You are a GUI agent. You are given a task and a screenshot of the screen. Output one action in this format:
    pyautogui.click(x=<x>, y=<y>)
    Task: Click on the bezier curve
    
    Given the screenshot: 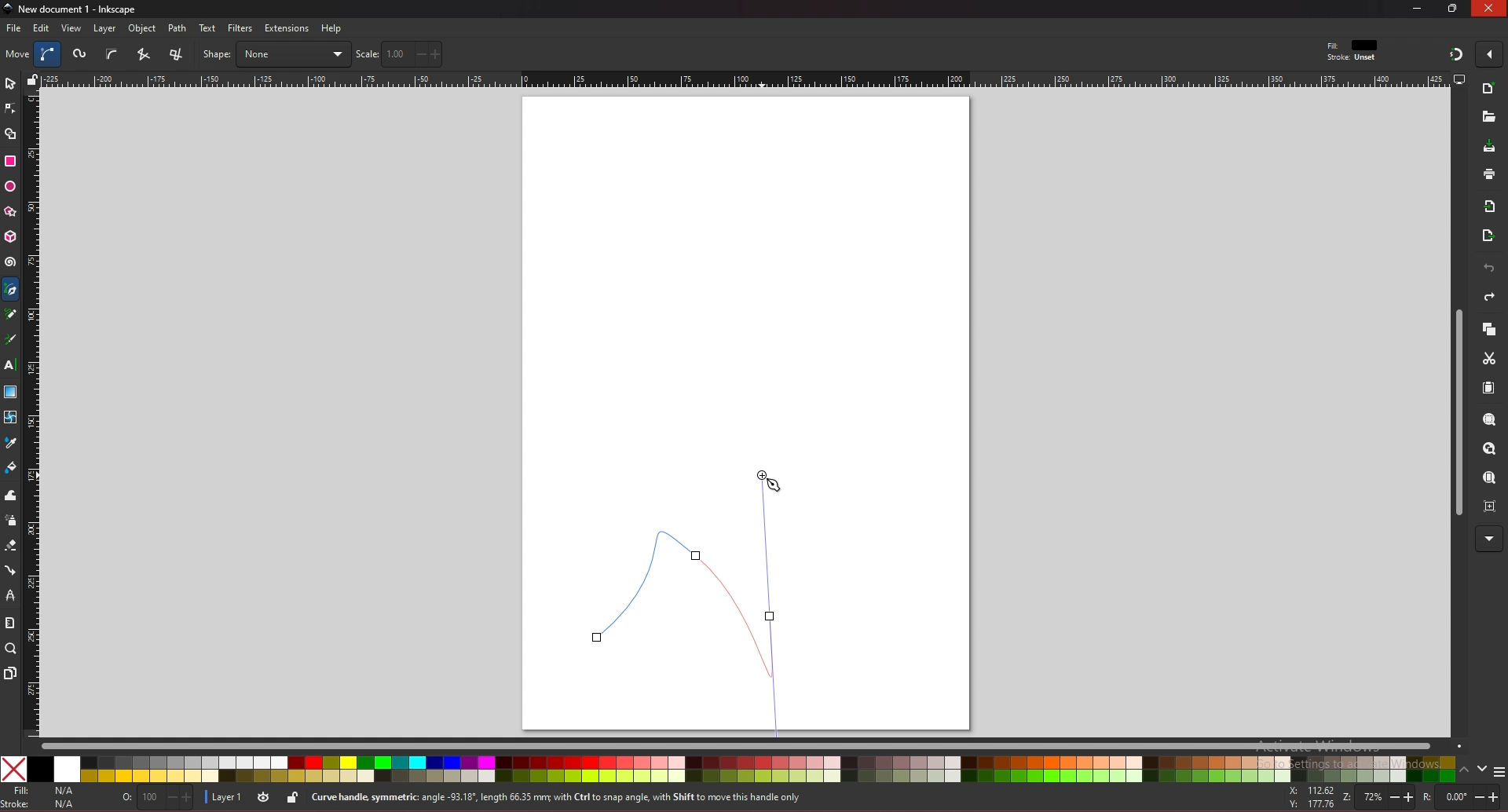 What is the action you would take?
    pyautogui.click(x=697, y=599)
    